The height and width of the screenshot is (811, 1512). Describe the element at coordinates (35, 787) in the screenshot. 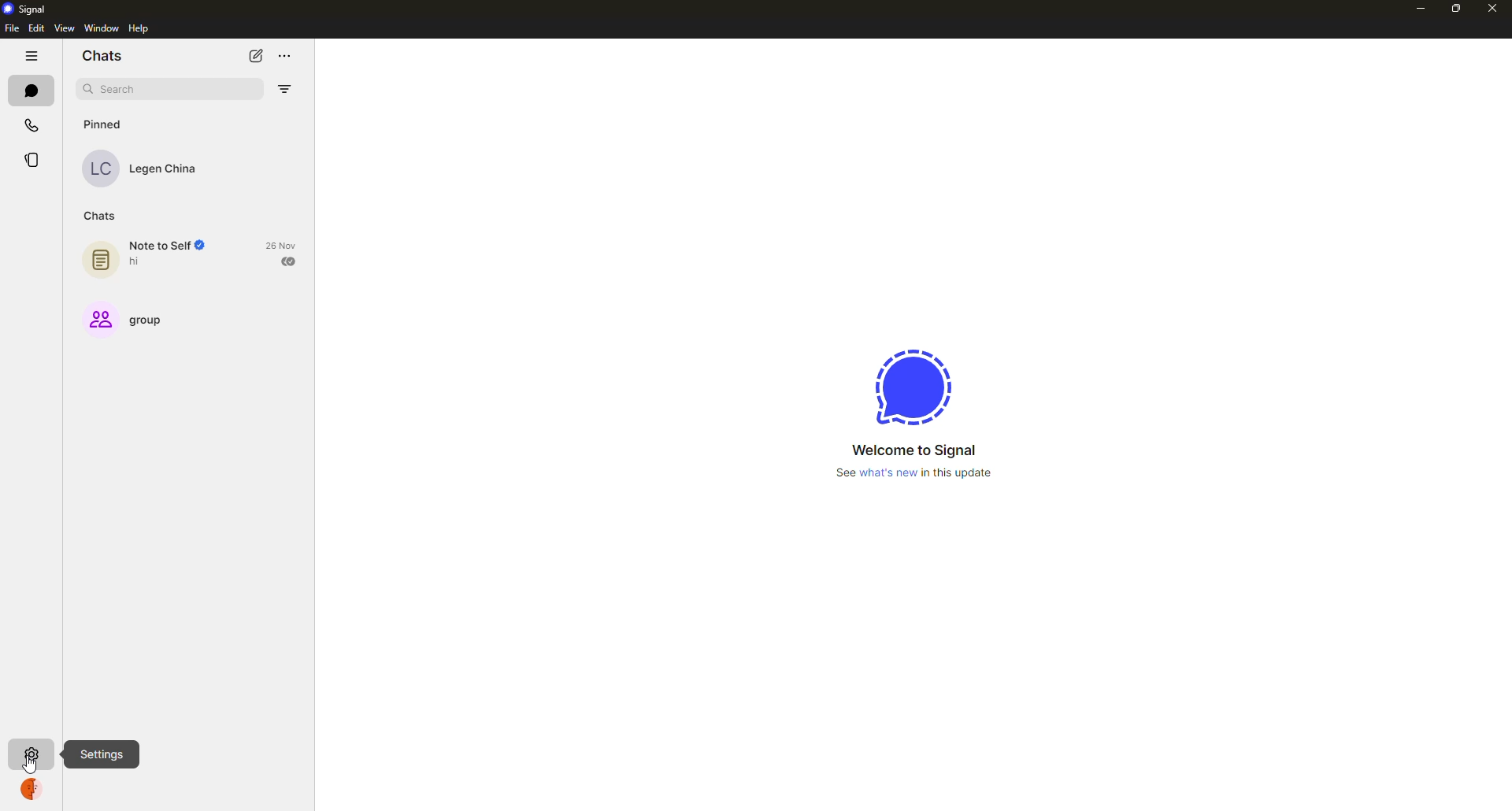

I see `profile` at that location.